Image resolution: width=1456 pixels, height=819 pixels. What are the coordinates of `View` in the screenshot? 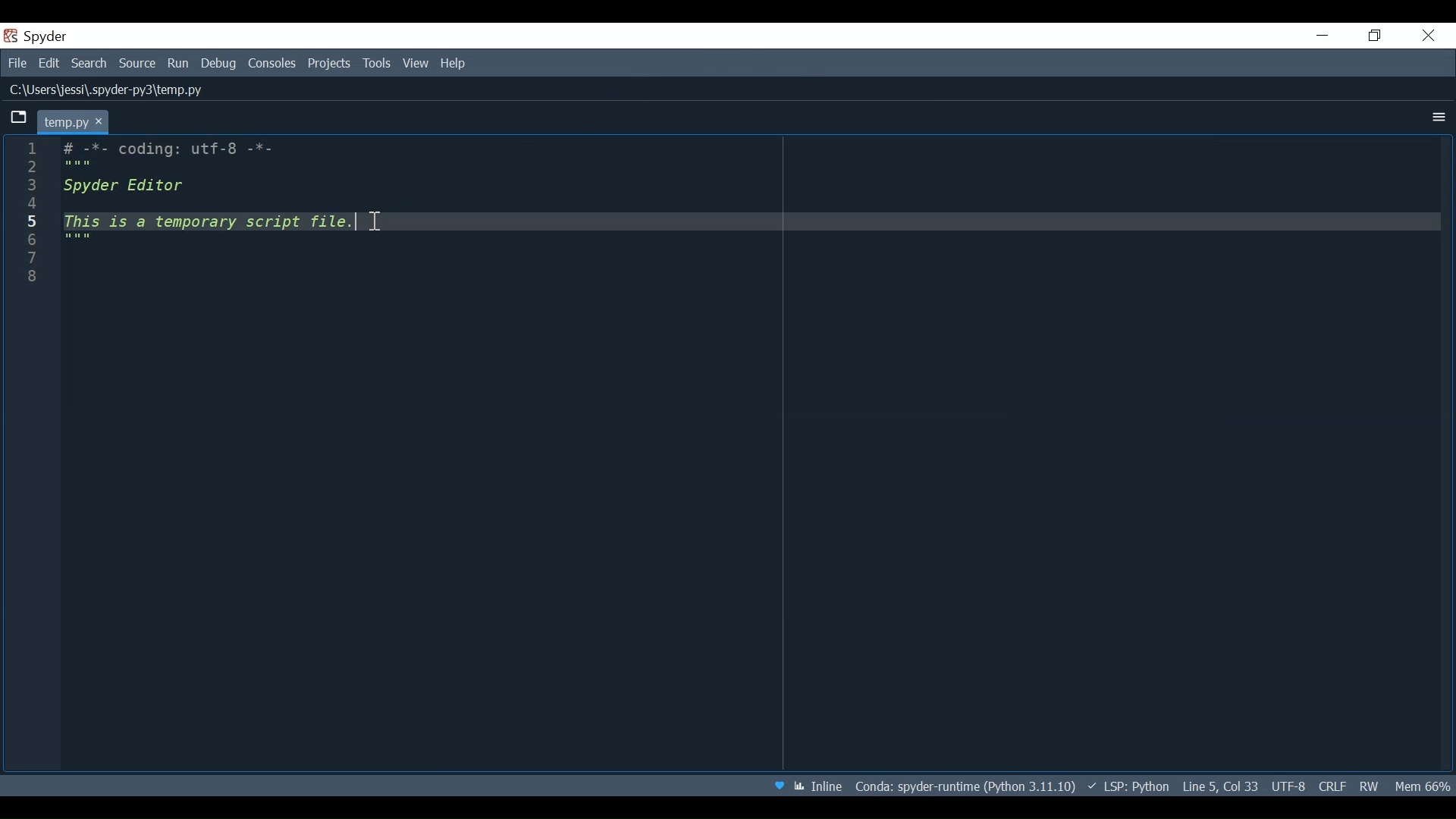 It's located at (413, 64).